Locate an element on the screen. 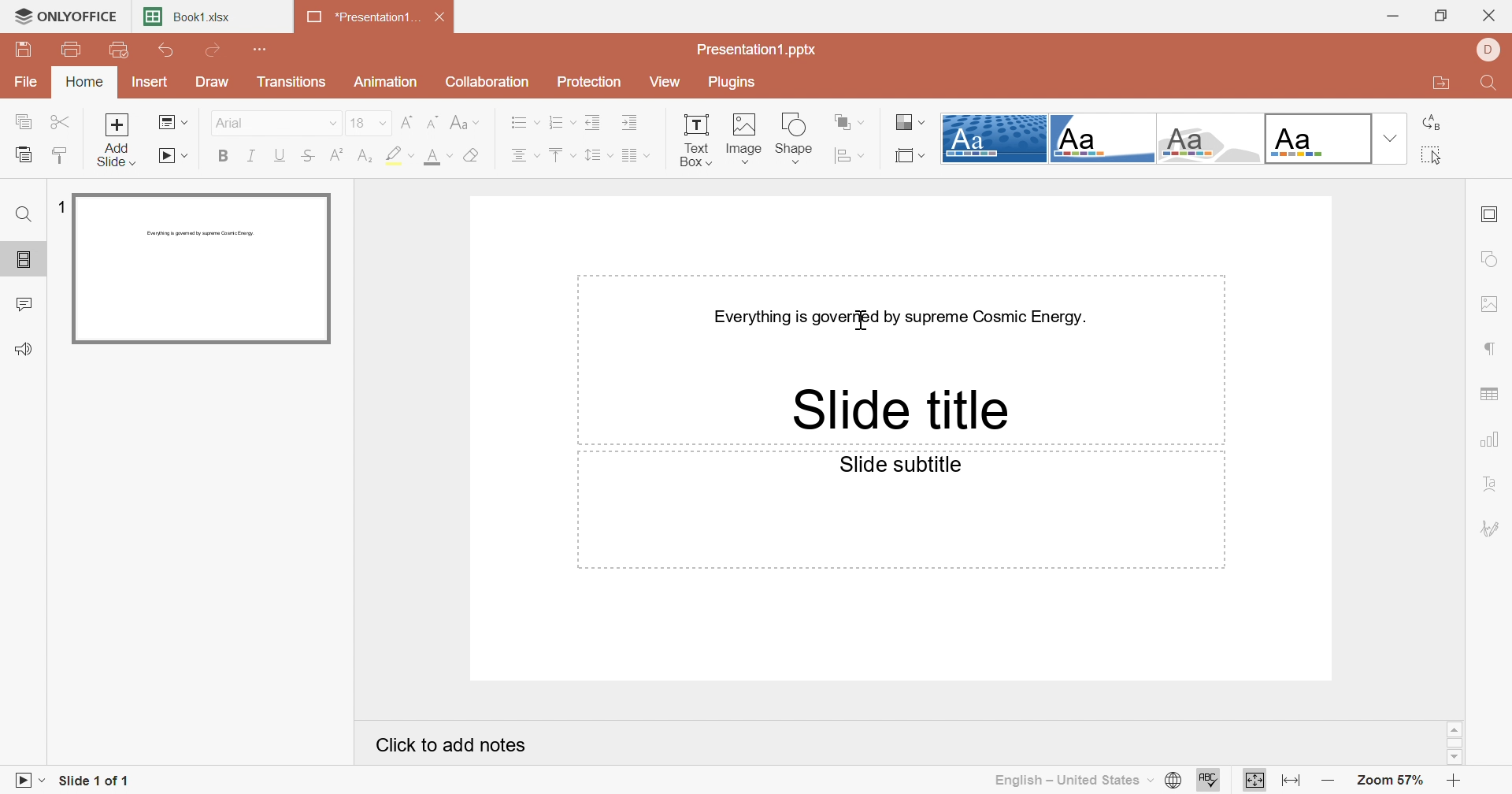  Underline is located at coordinates (280, 154).